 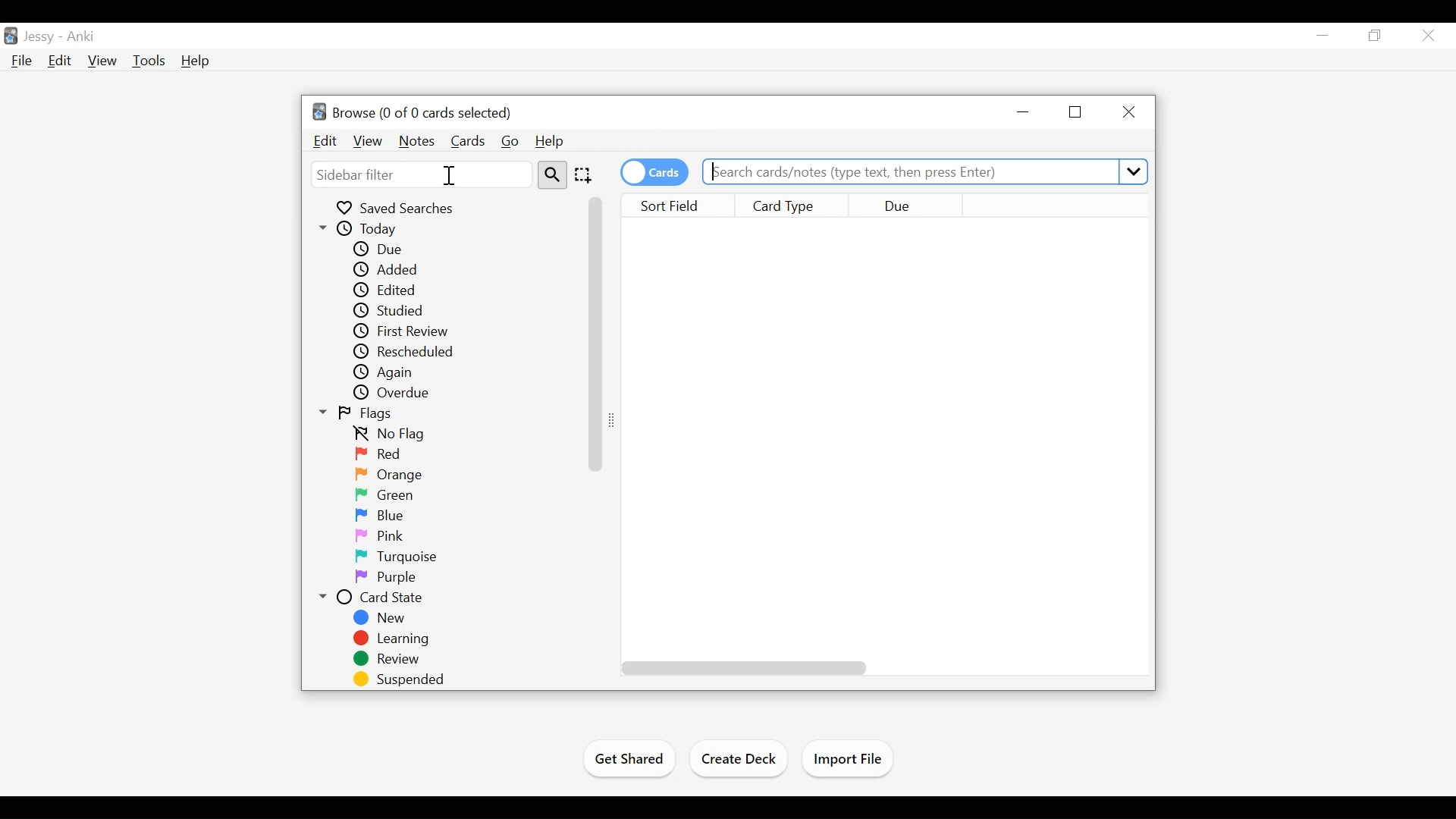 I want to click on Blue, so click(x=389, y=516).